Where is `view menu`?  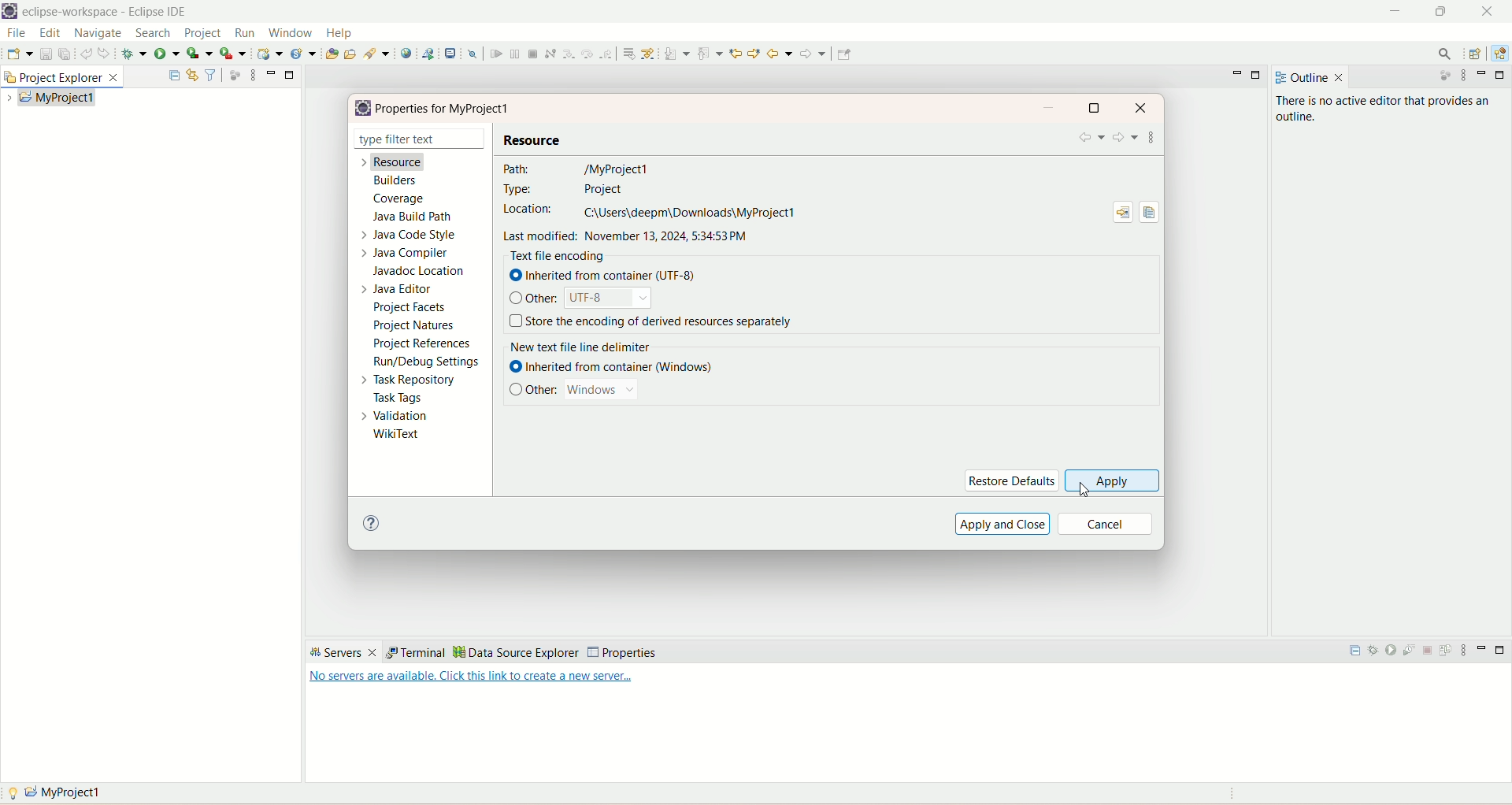 view menu is located at coordinates (1467, 651).